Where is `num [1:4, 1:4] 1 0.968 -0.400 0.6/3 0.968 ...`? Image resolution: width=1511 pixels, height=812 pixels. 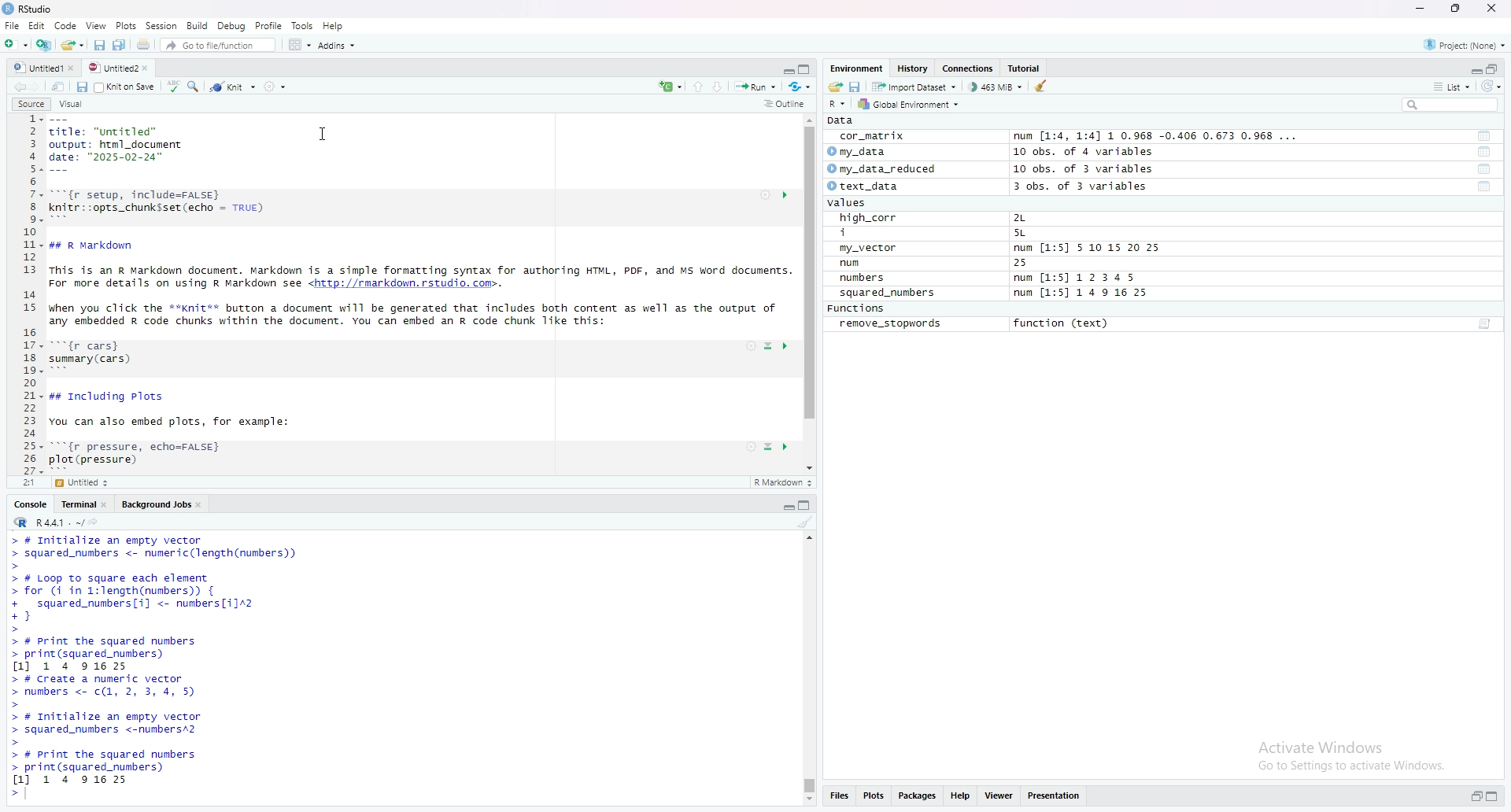
num [1:4, 1:4] 1 0.968 -0.400 0.6/3 0.968 ... is located at coordinates (1157, 133).